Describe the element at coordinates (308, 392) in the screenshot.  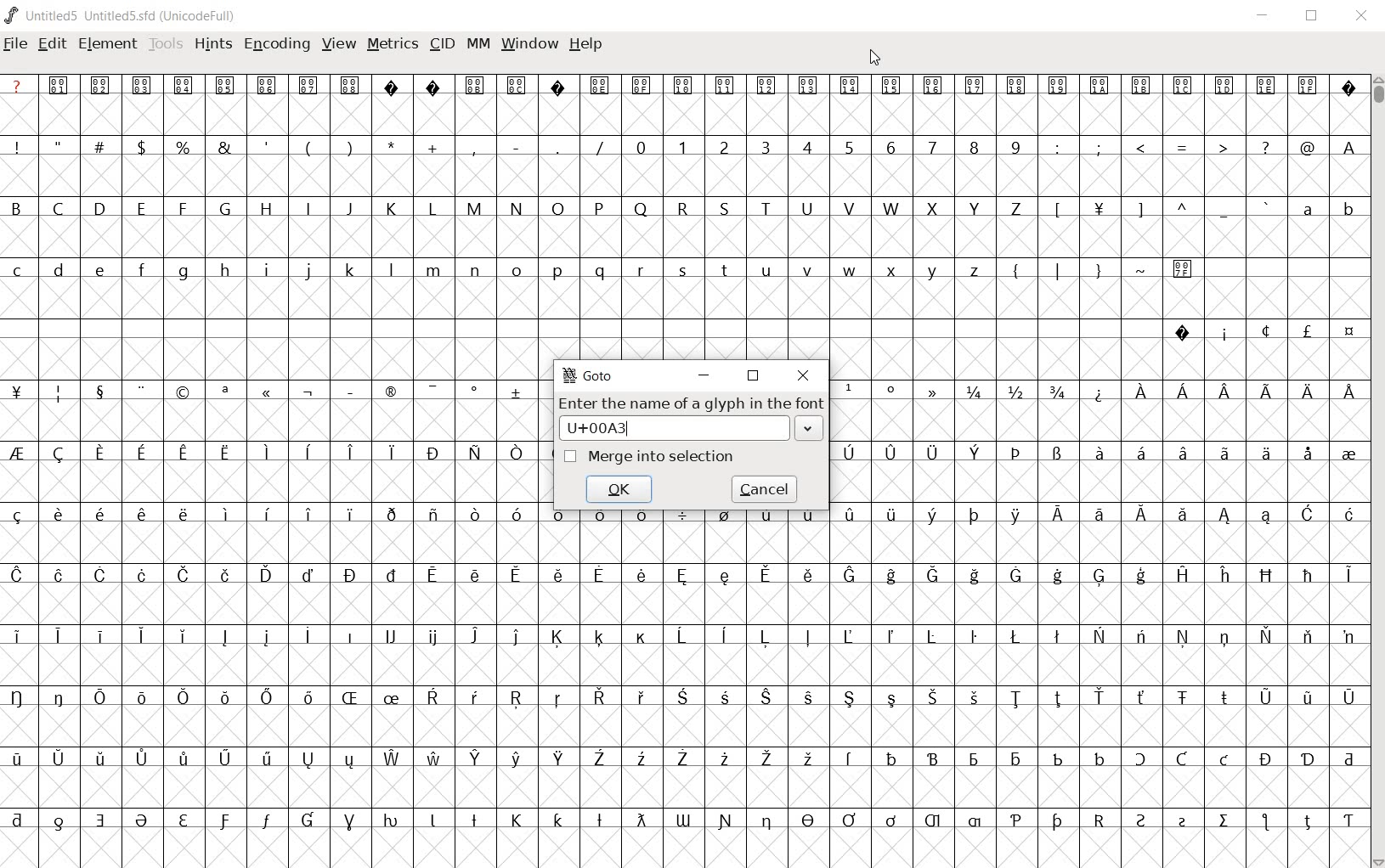
I see `Symbol` at that location.